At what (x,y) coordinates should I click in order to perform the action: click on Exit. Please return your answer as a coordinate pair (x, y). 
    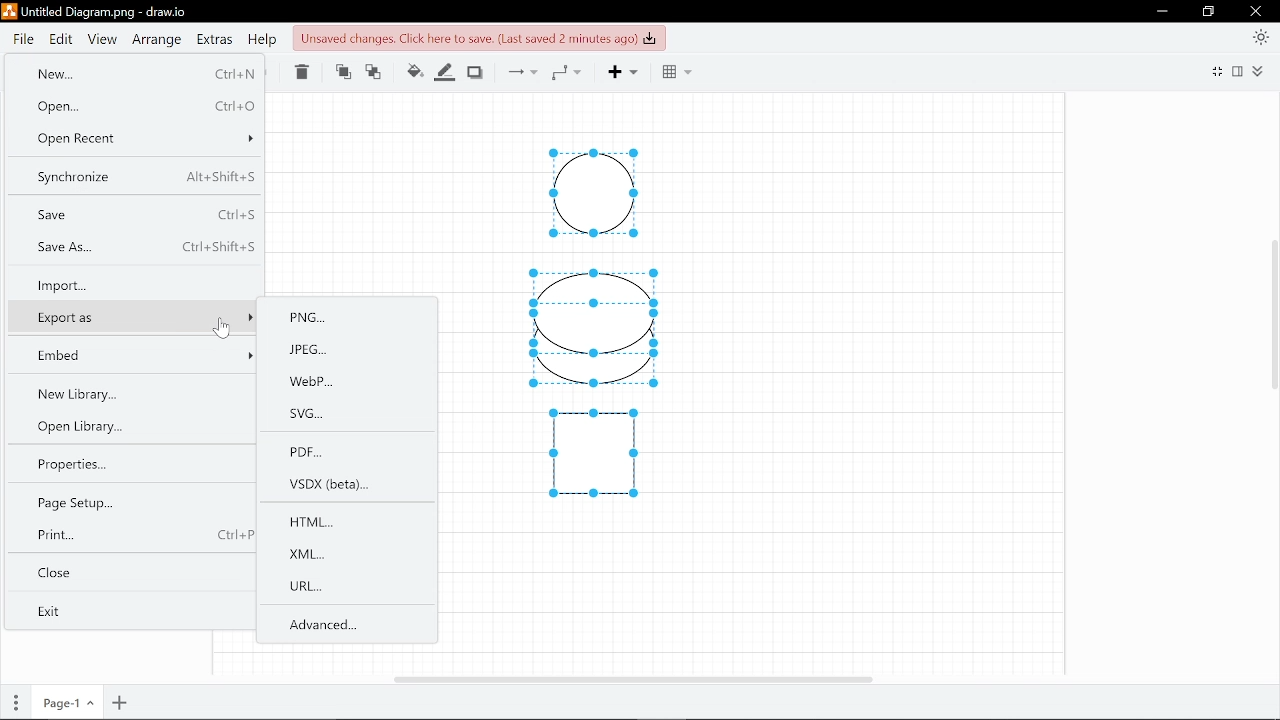
    Looking at the image, I should click on (134, 608).